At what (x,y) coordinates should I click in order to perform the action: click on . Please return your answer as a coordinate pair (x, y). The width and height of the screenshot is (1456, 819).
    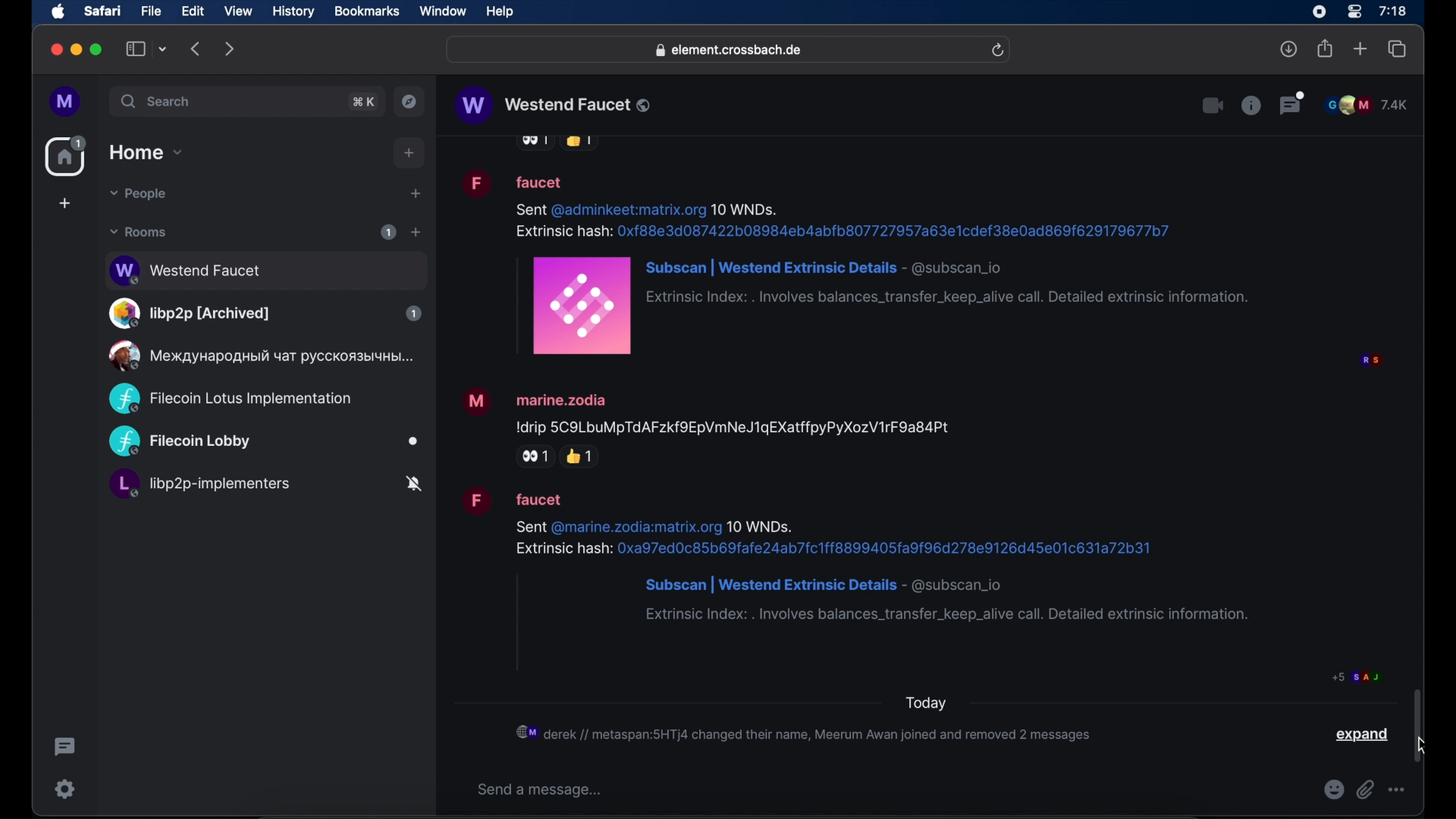
    Looking at the image, I should click on (140, 194).